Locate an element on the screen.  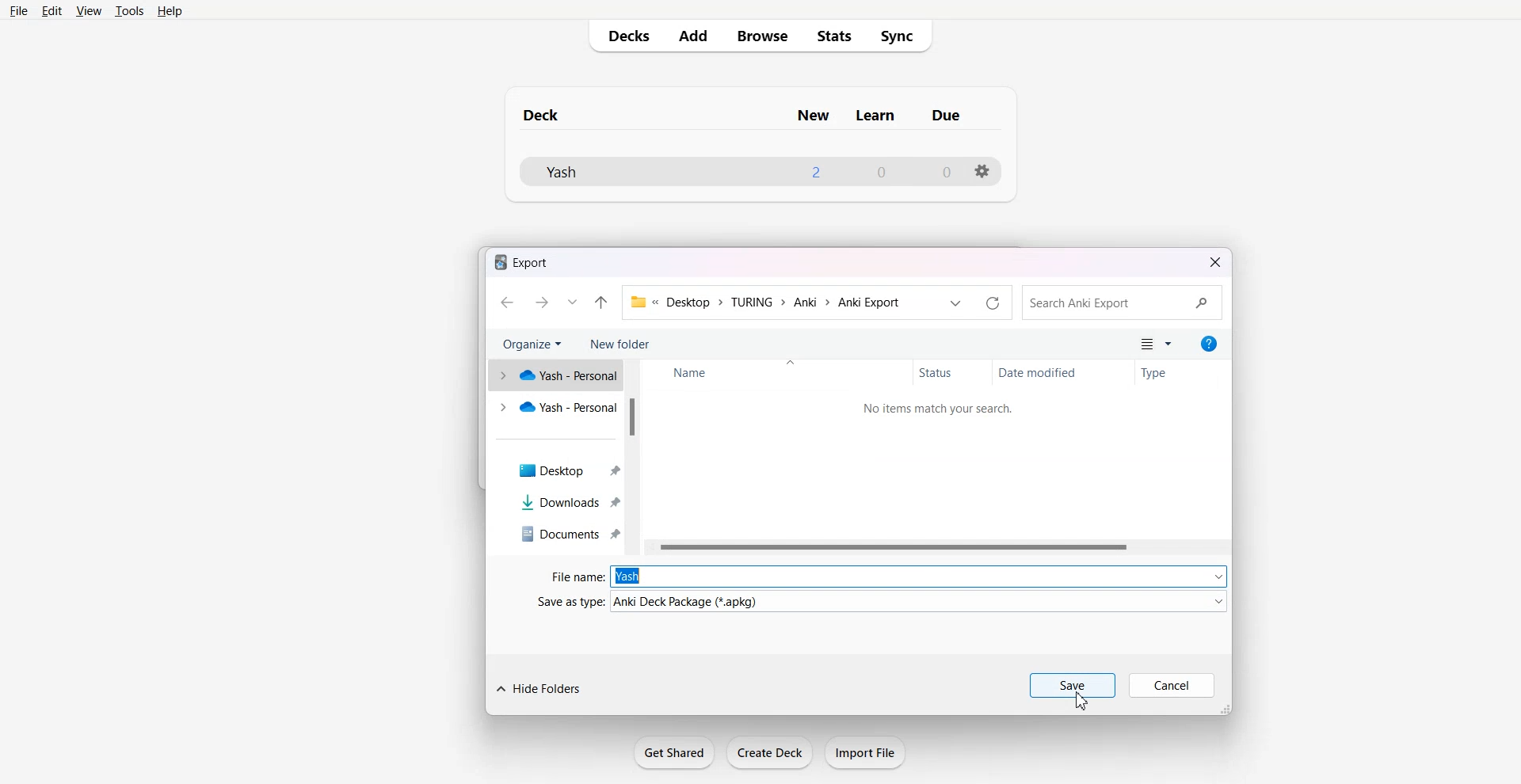
Edit is located at coordinates (54, 11).